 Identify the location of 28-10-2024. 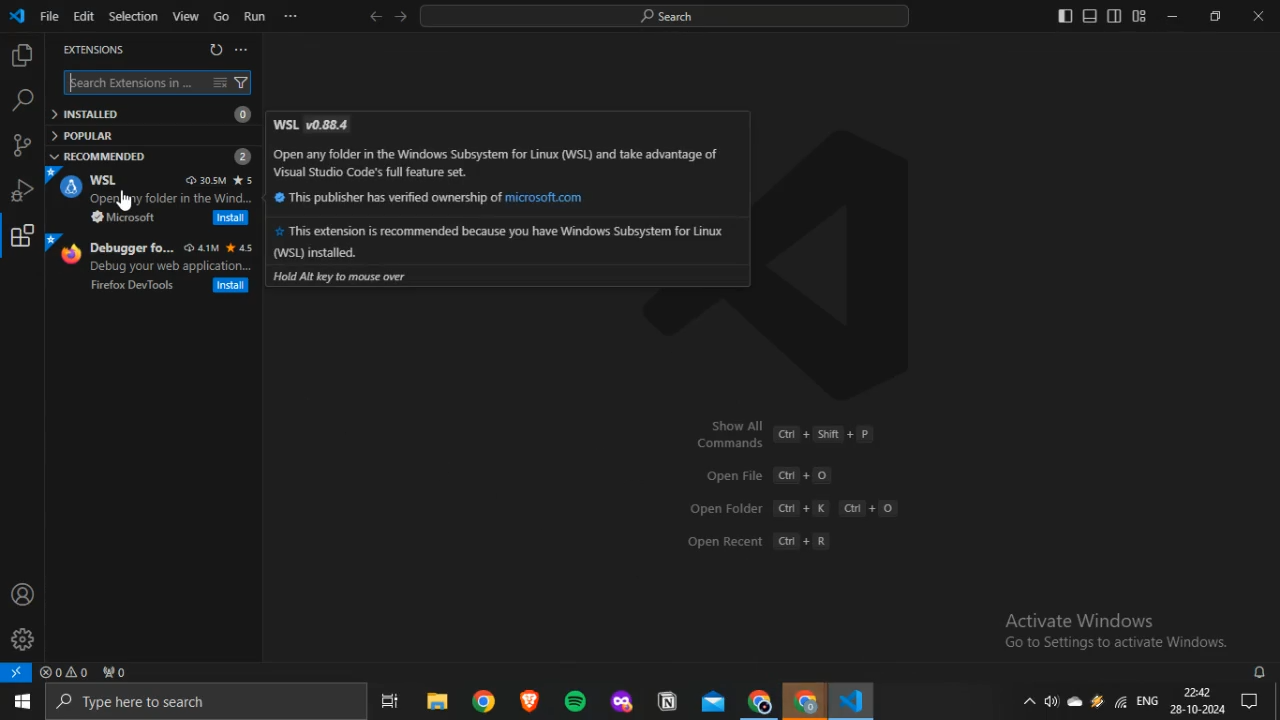
(1197, 709).